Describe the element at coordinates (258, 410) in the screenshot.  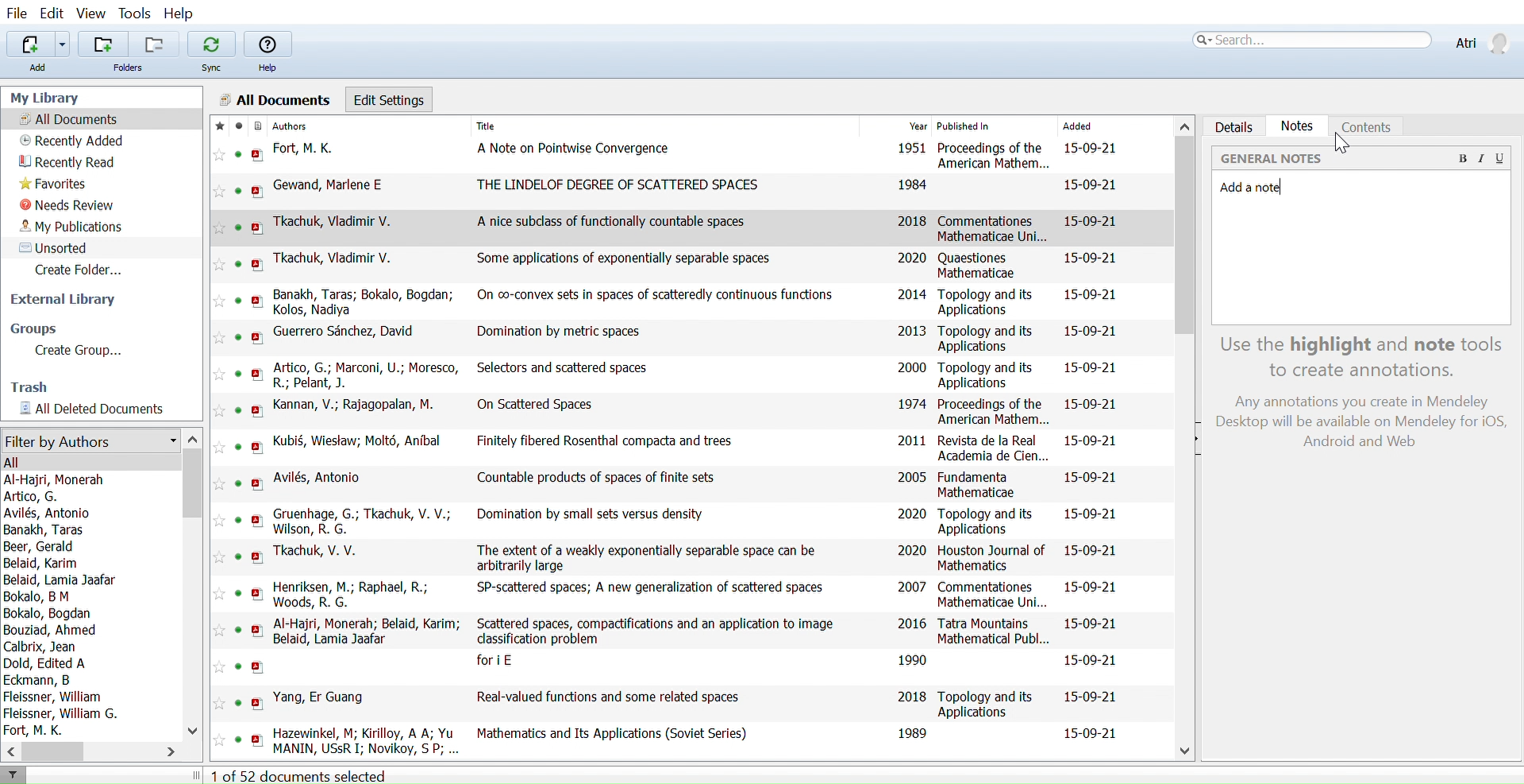
I see `open PDF` at that location.